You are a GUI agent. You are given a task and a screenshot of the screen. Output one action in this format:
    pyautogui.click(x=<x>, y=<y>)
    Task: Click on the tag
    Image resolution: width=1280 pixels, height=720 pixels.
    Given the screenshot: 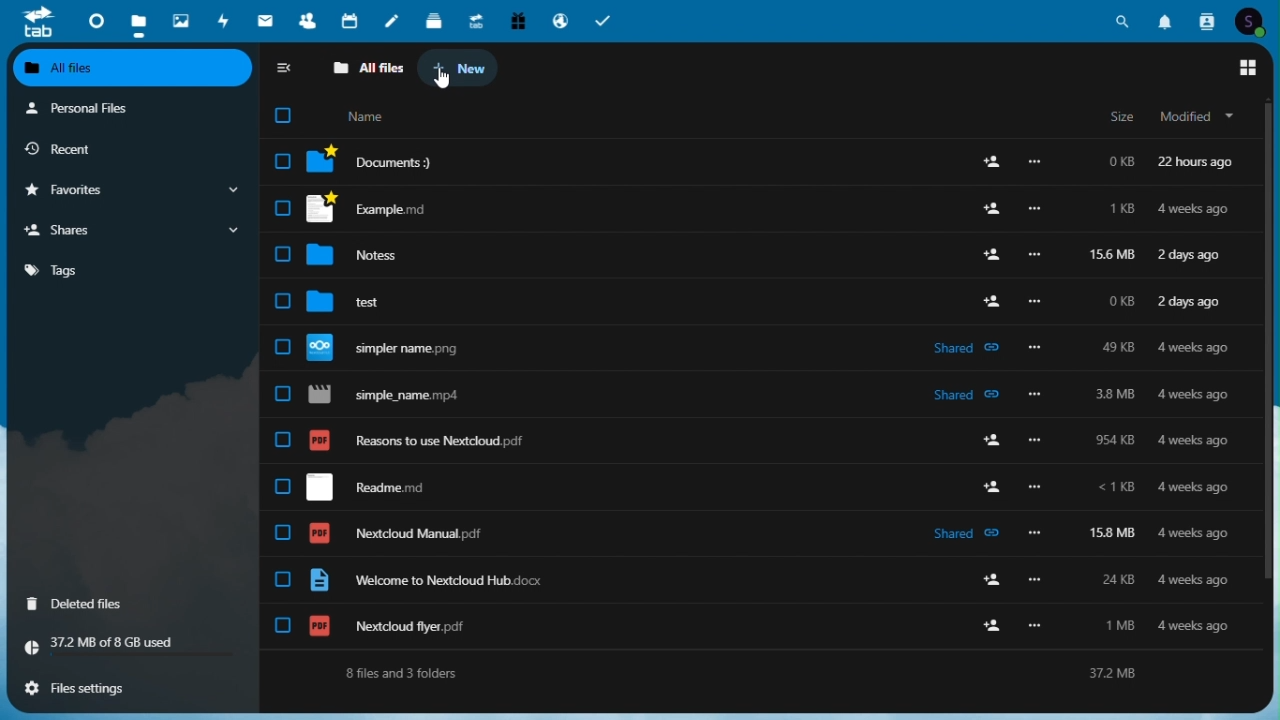 What is the action you would take?
    pyautogui.click(x=128, y=275)
    